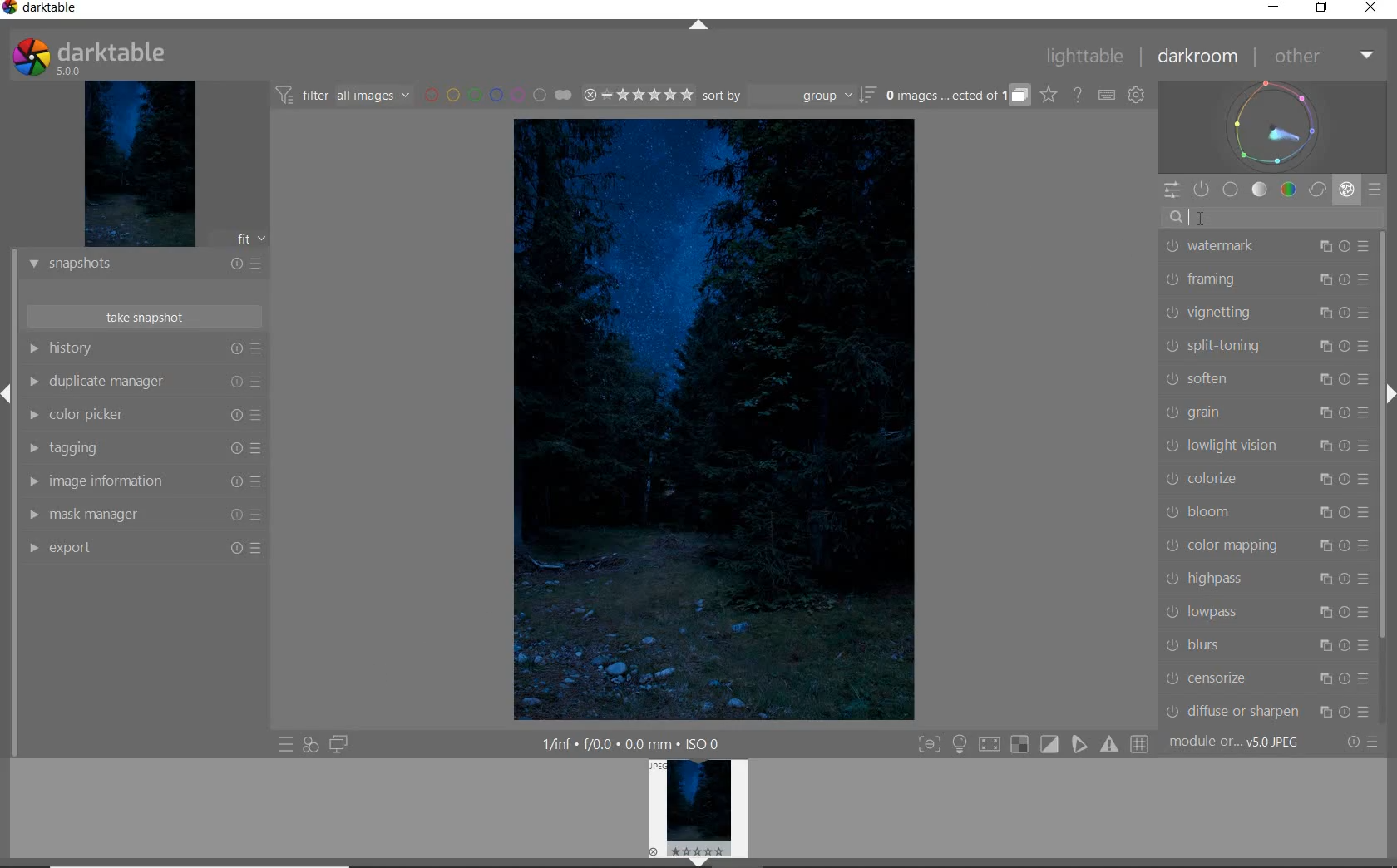 Image resolution: width=1397 pixels, height=868 pixels. I want to click on QUICK ACCESS FOR APPLYING ANY OF YOUR STYLES, so click(309, 746).